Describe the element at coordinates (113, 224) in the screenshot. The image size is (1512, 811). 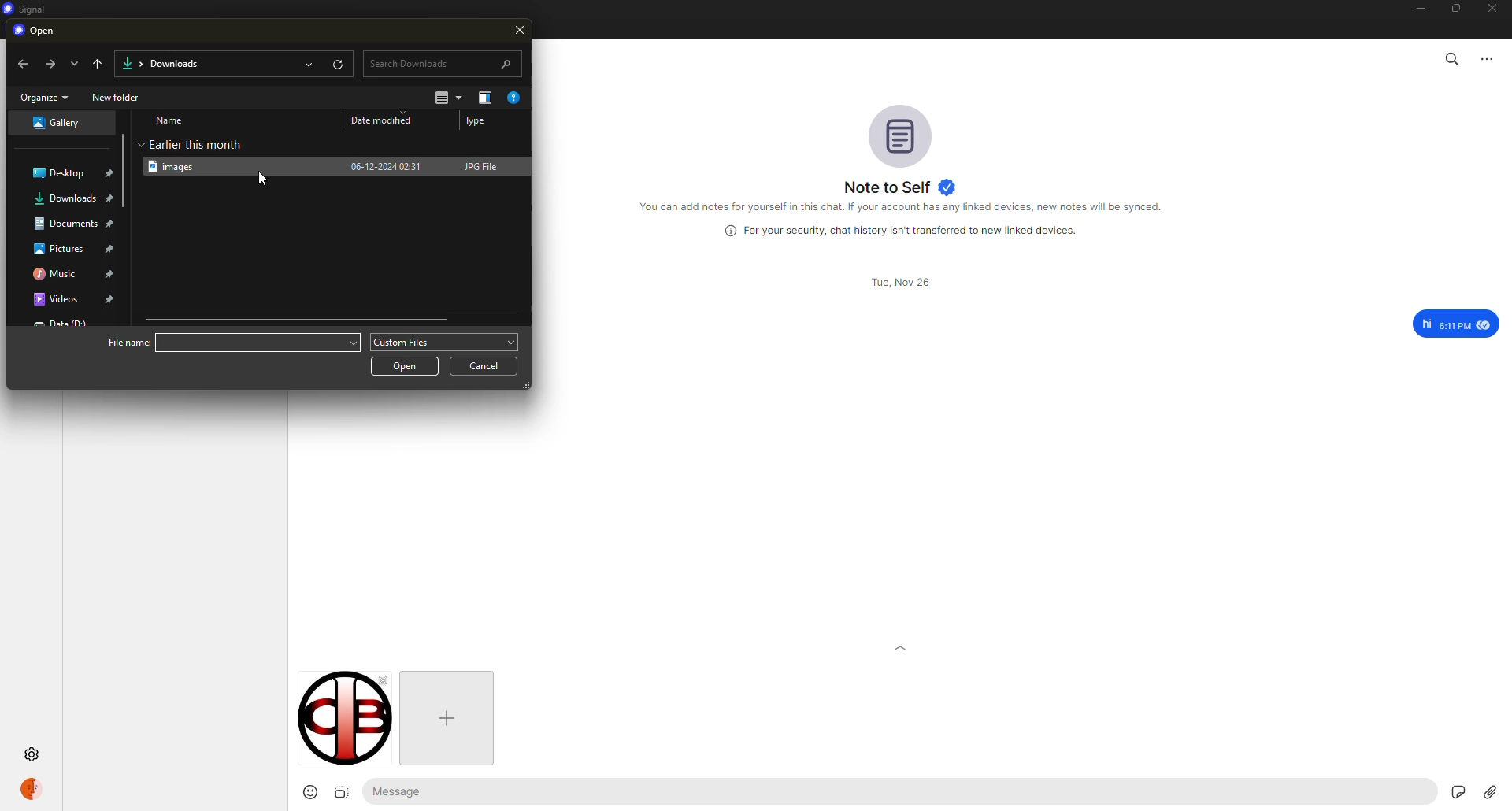
I see `pin` at that location.